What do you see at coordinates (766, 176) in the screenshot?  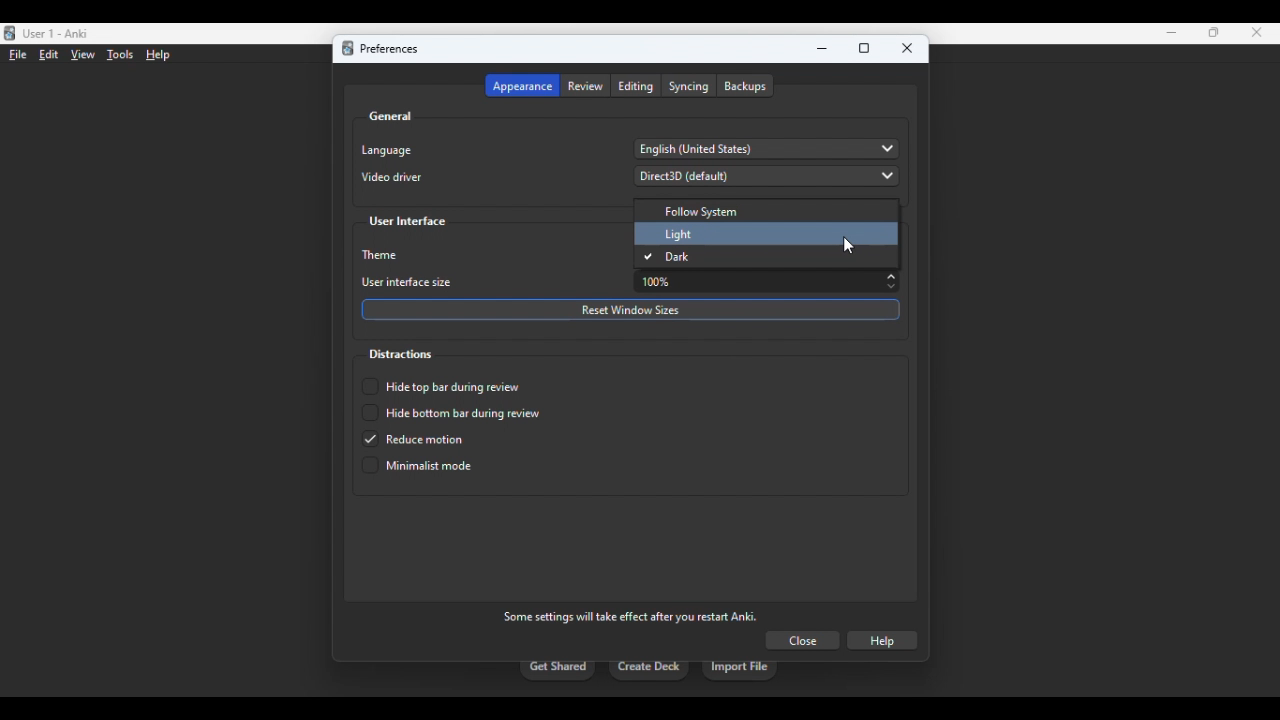 I see `direct3D (default)` at bounding box center [766, 176].